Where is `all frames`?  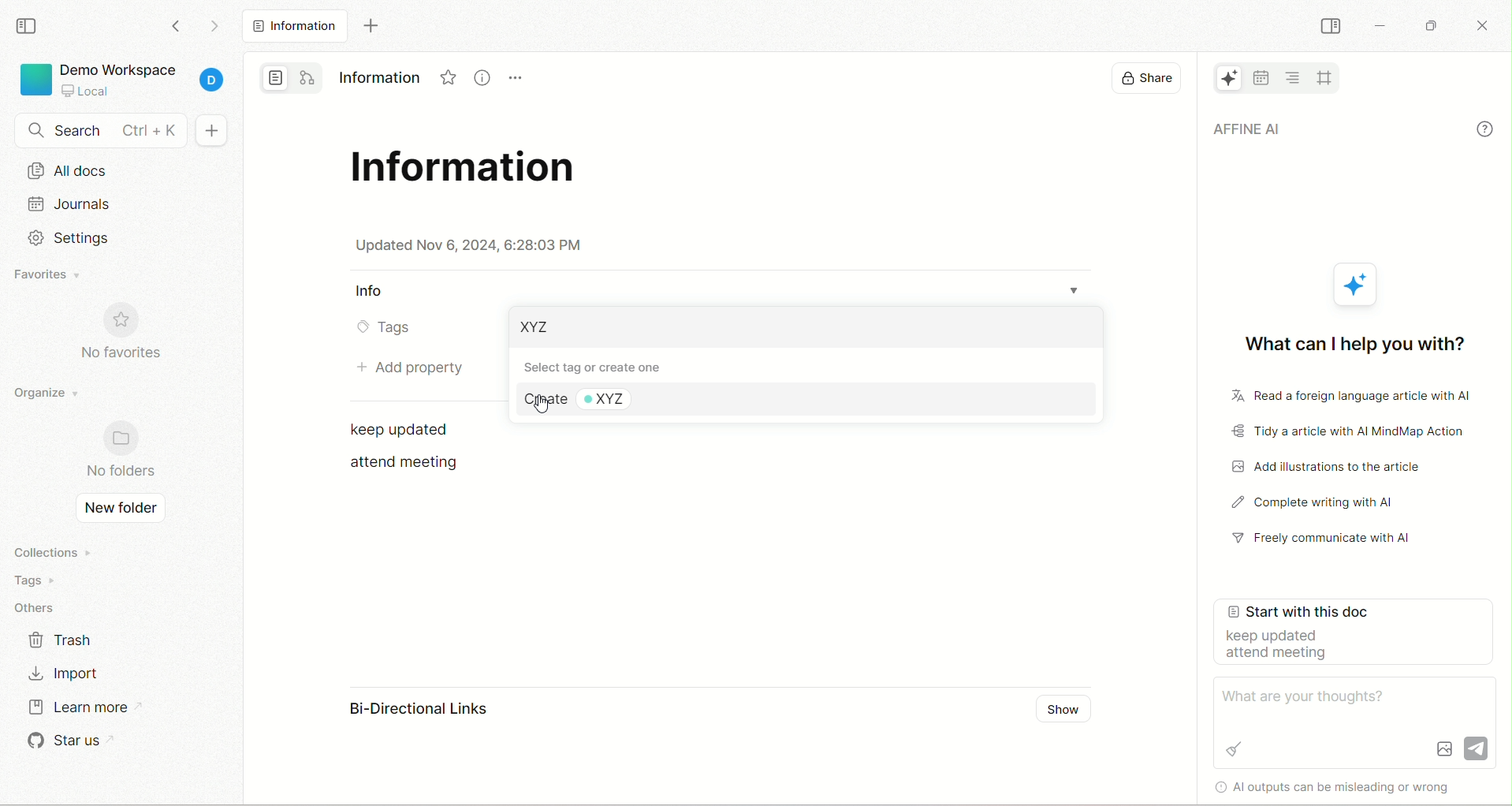 all frames is located at coordinates (1324, 76).